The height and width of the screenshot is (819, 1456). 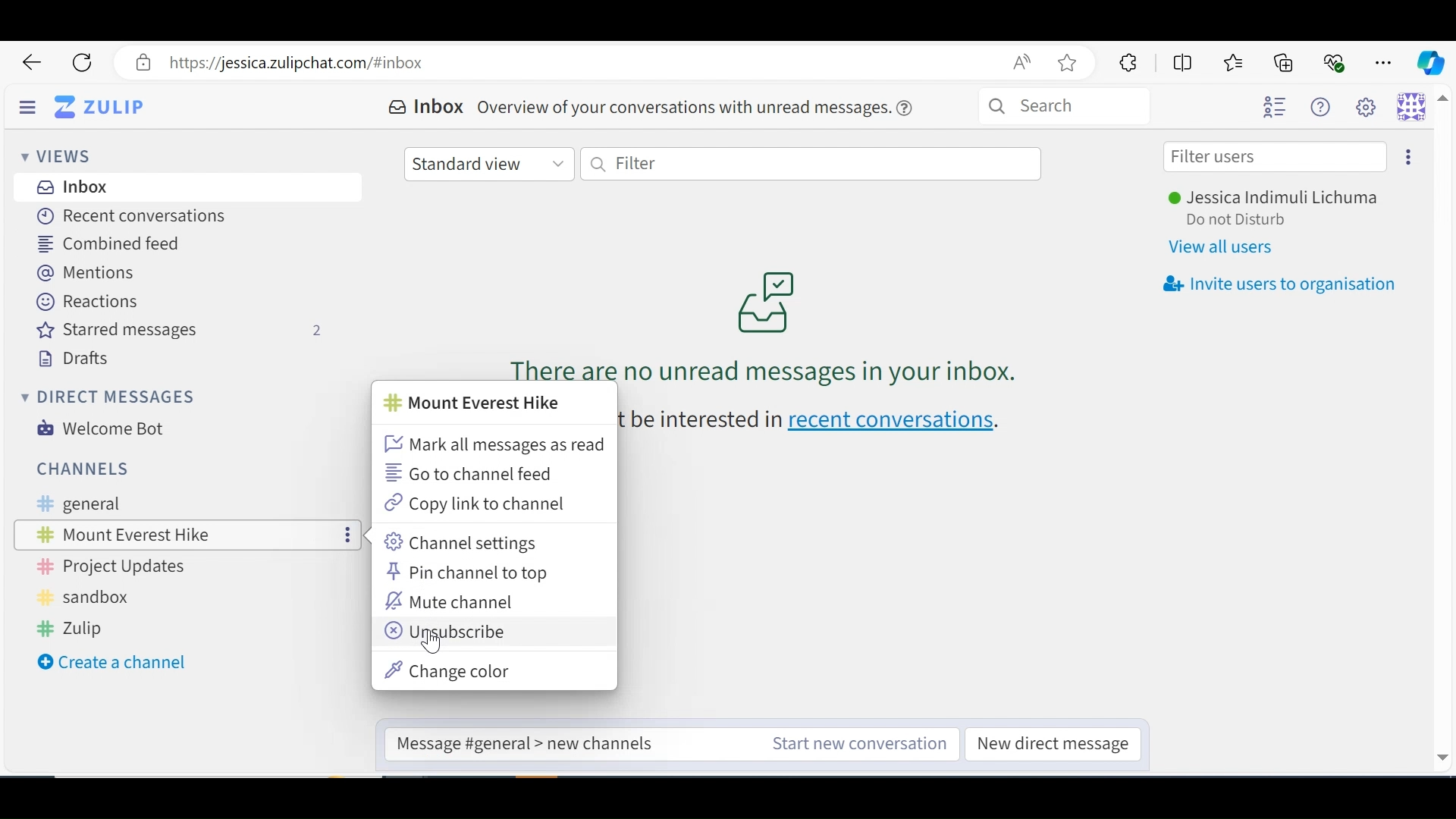 I want to click on Up, so click(x=1444, y=104).